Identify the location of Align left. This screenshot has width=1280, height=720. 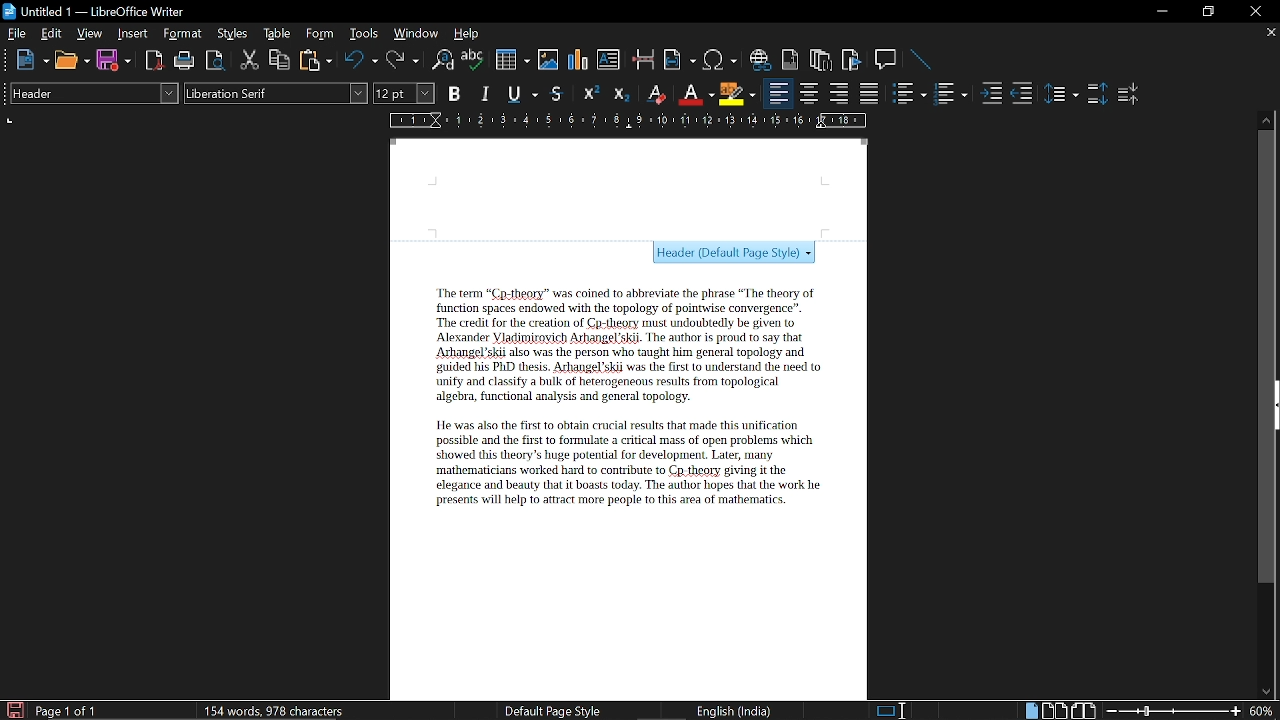
(778, 94).